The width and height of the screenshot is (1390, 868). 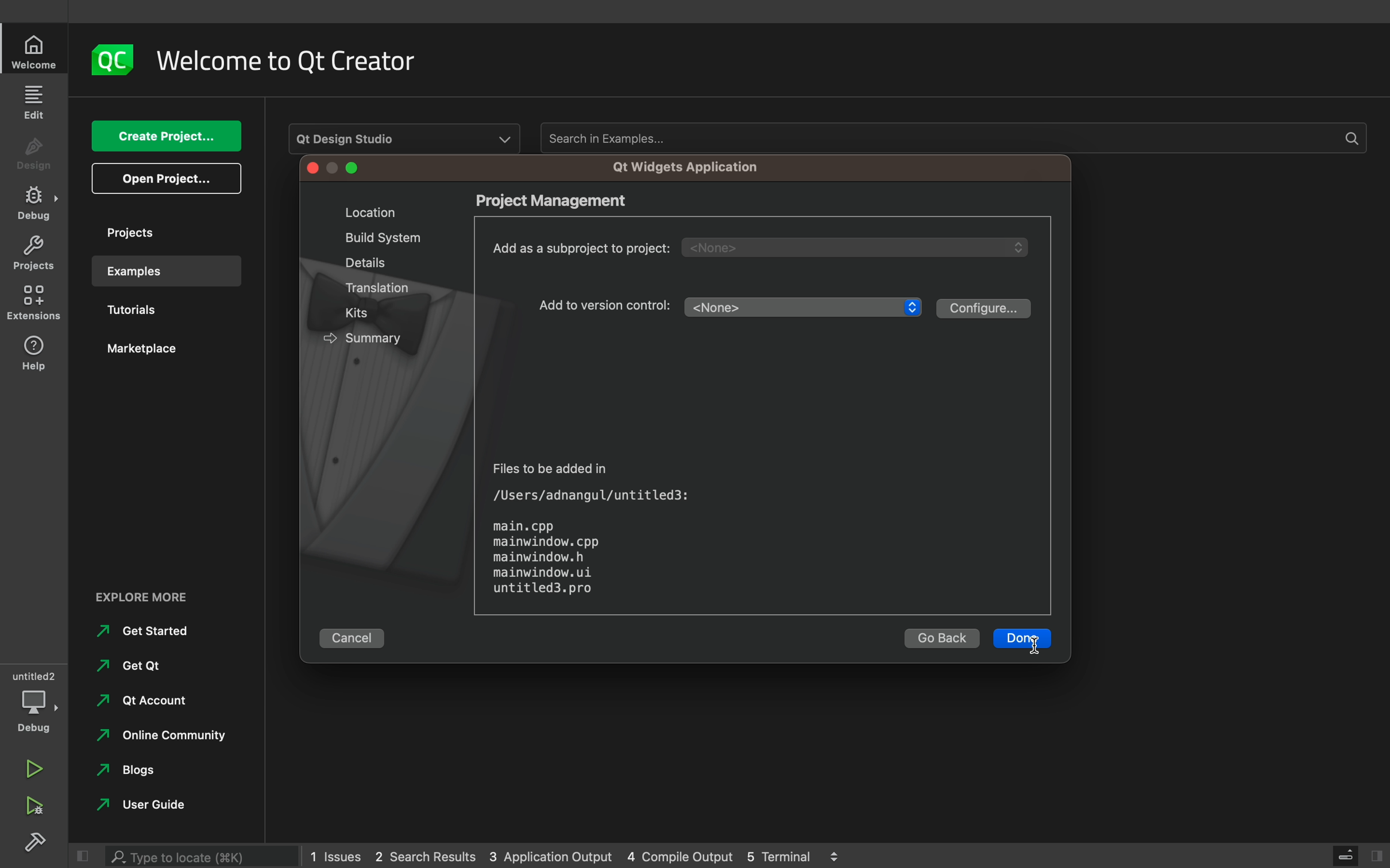 What do you see at coordinates (35, 768) in the screenshot?
I see `run` at bounding box center [35, 768].